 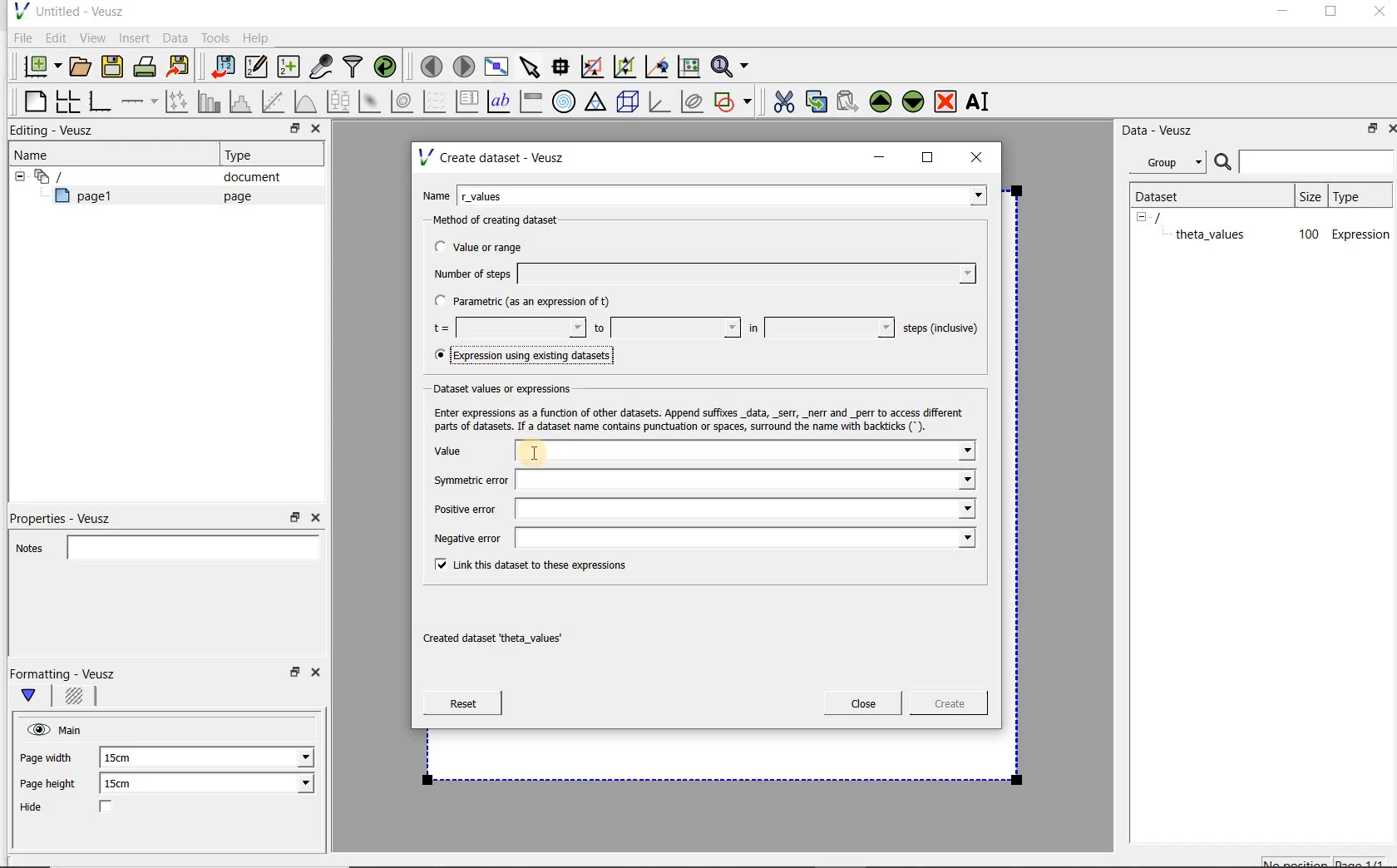 What do you see at coordinates (210, 101) in the screenshot?
I see `plot bar charts` at bounding box center [210, 101].